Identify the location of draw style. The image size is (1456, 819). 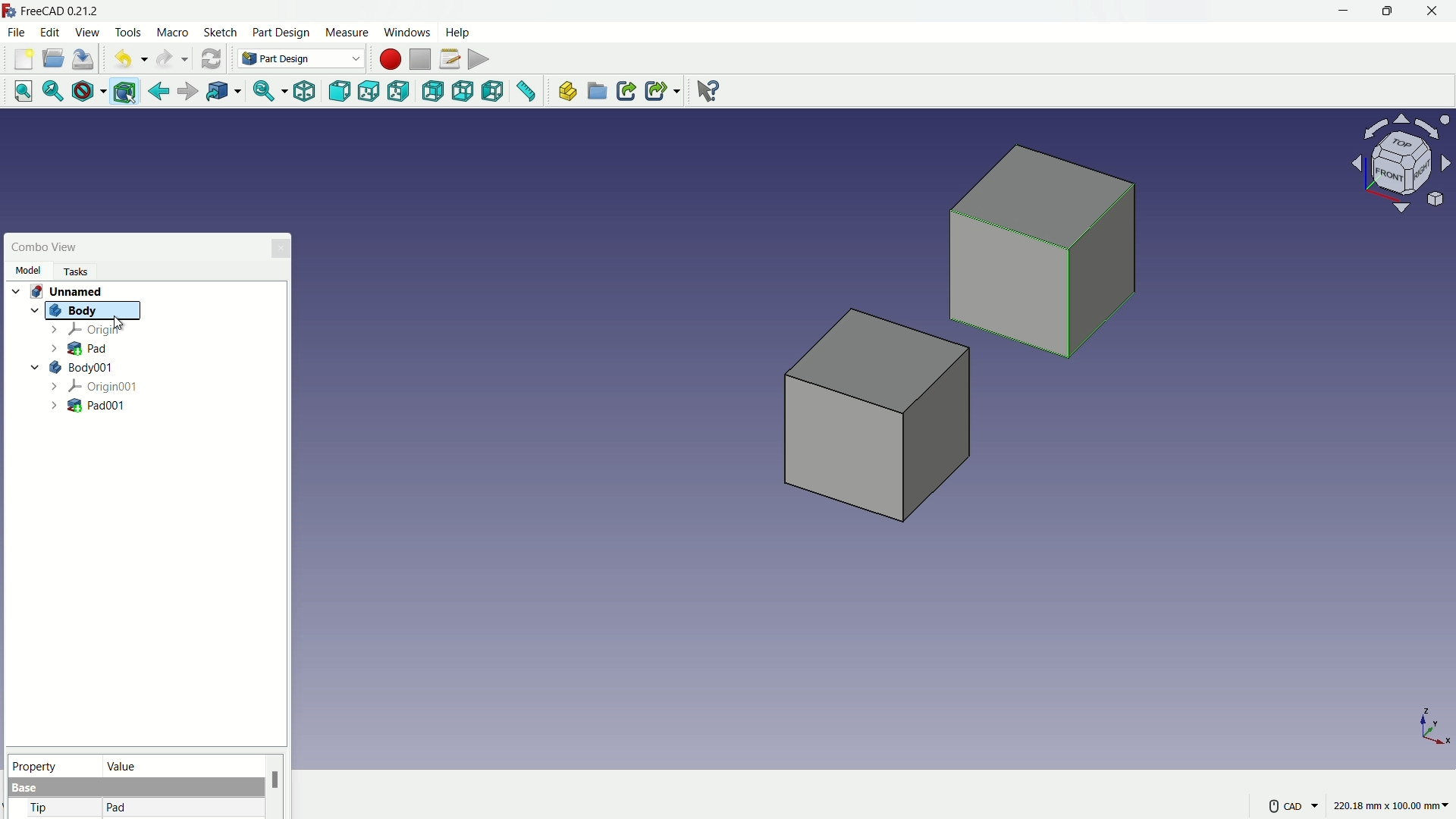
(86, 92).